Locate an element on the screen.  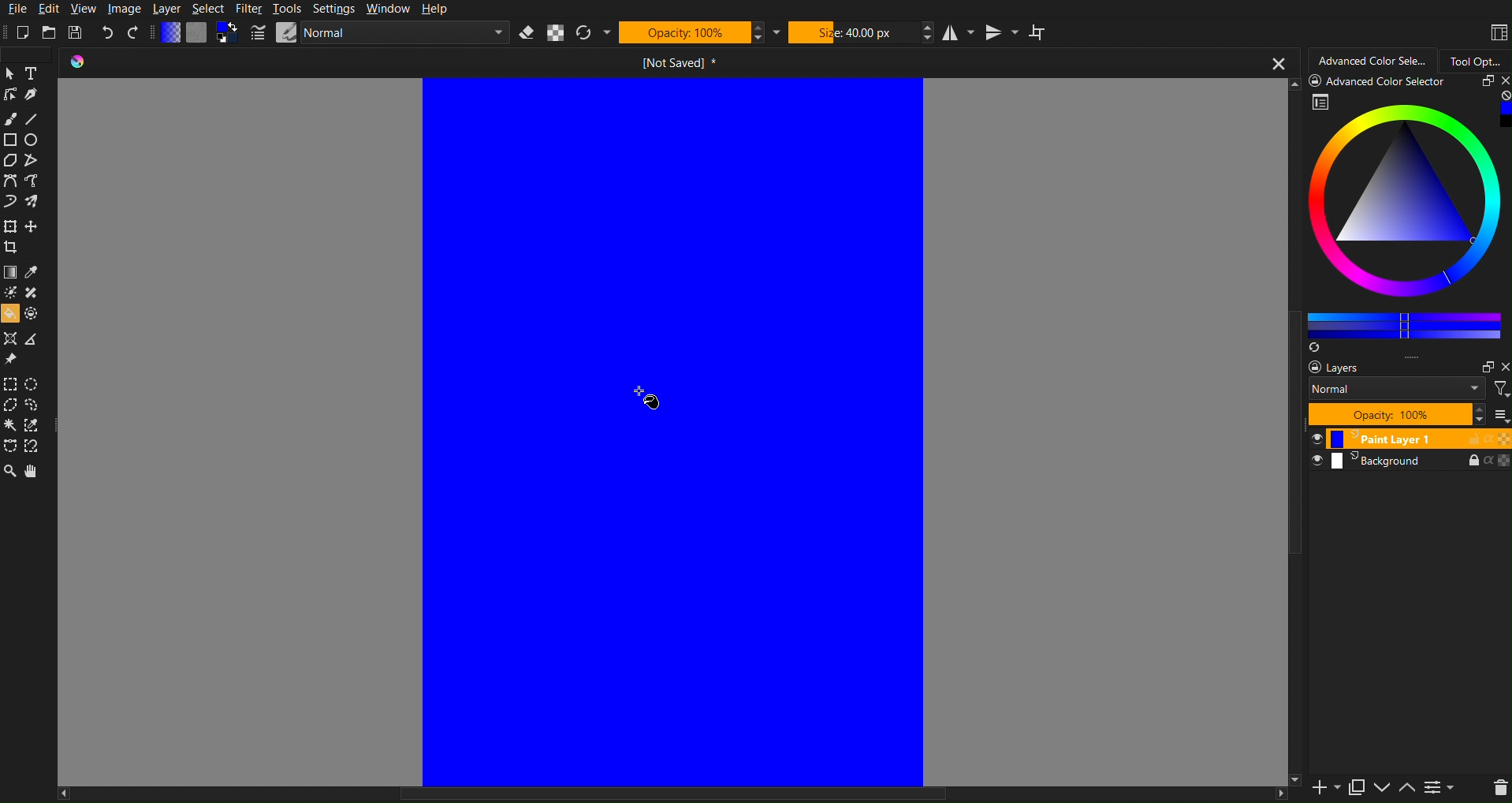
alpha is located at coordinates (1486, 438).